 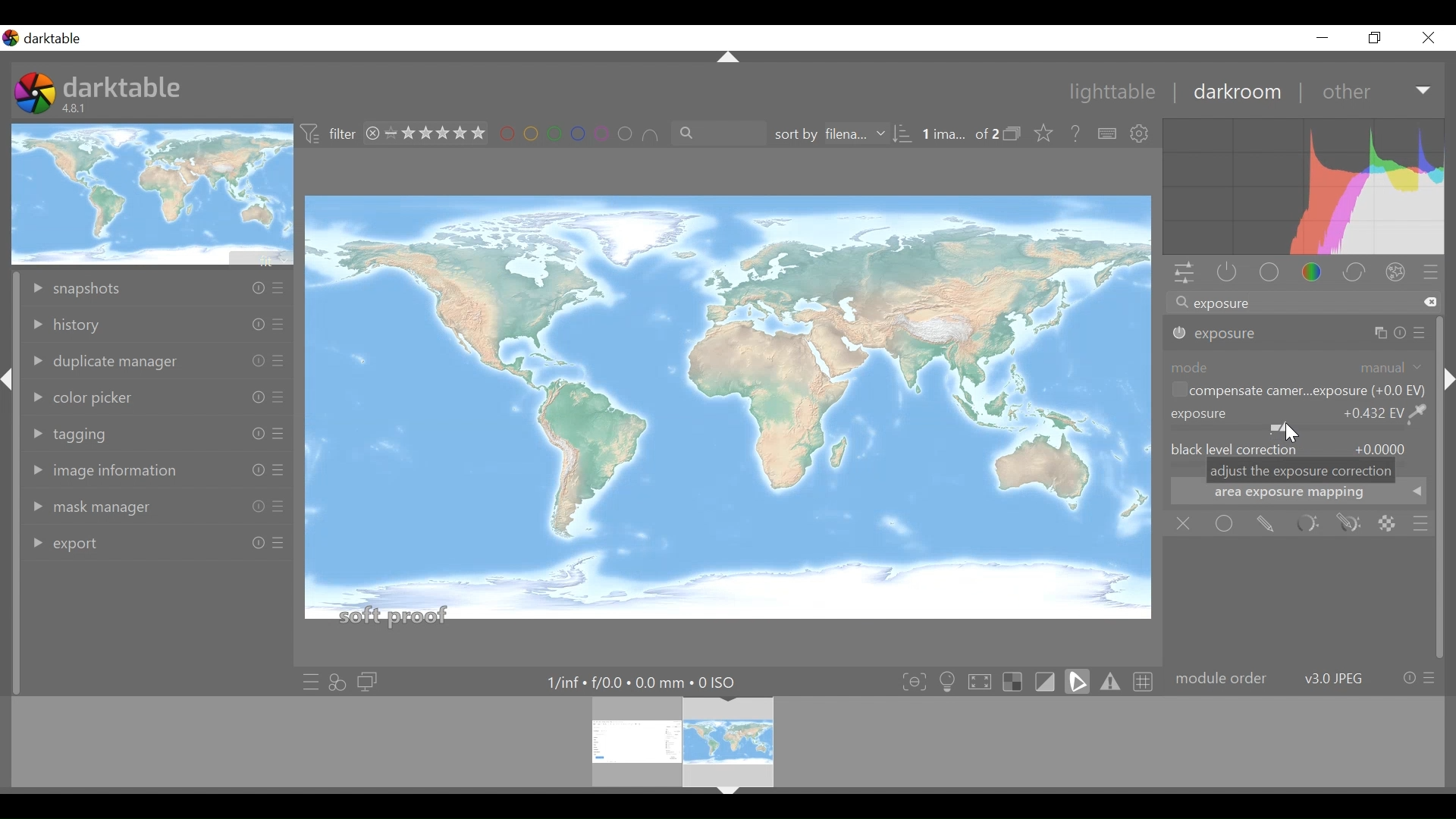 I want to click on Other, so click(x=1377, y=91).